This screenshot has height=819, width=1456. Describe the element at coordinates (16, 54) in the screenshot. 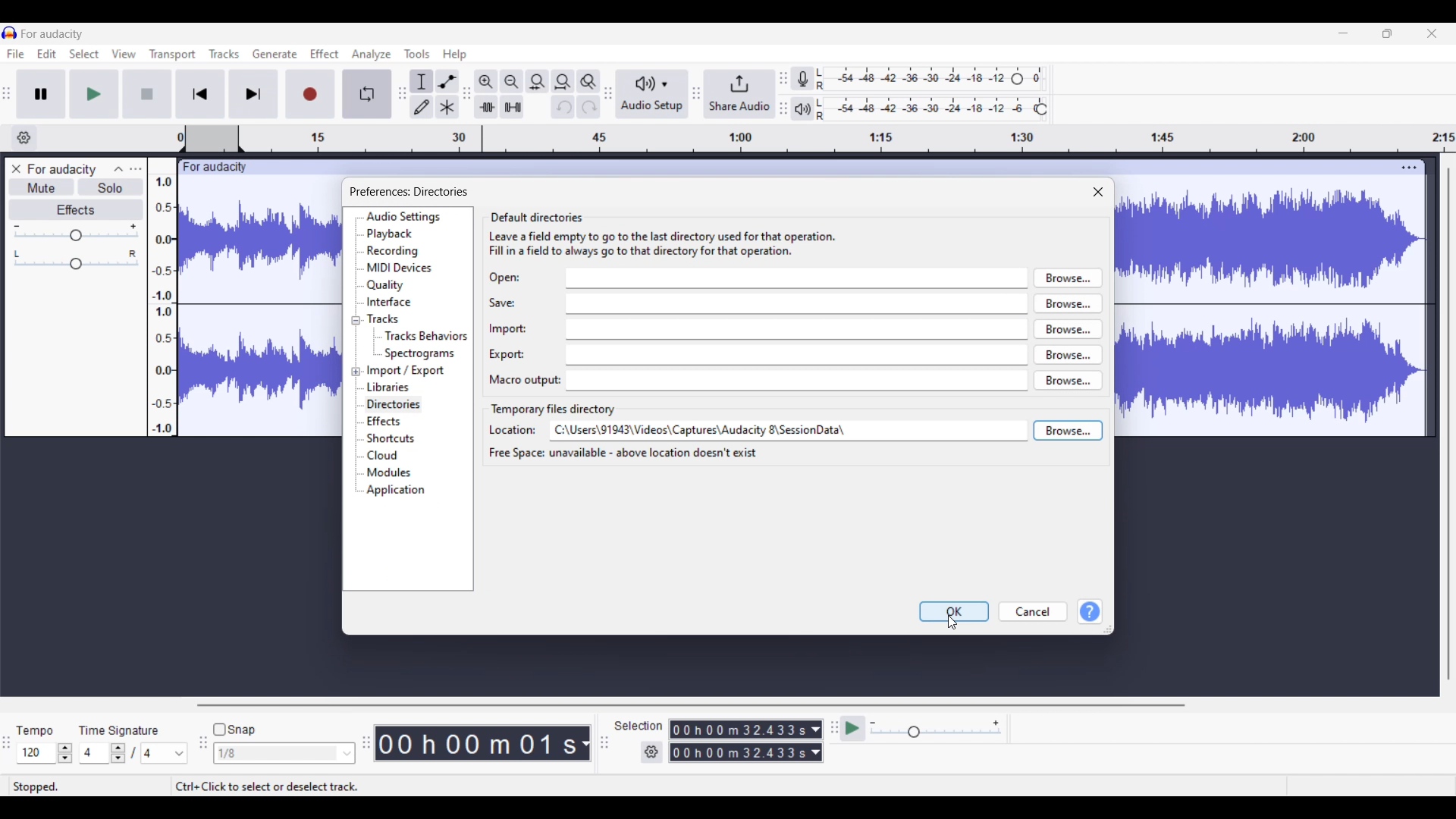

I see `File menu` at that location.